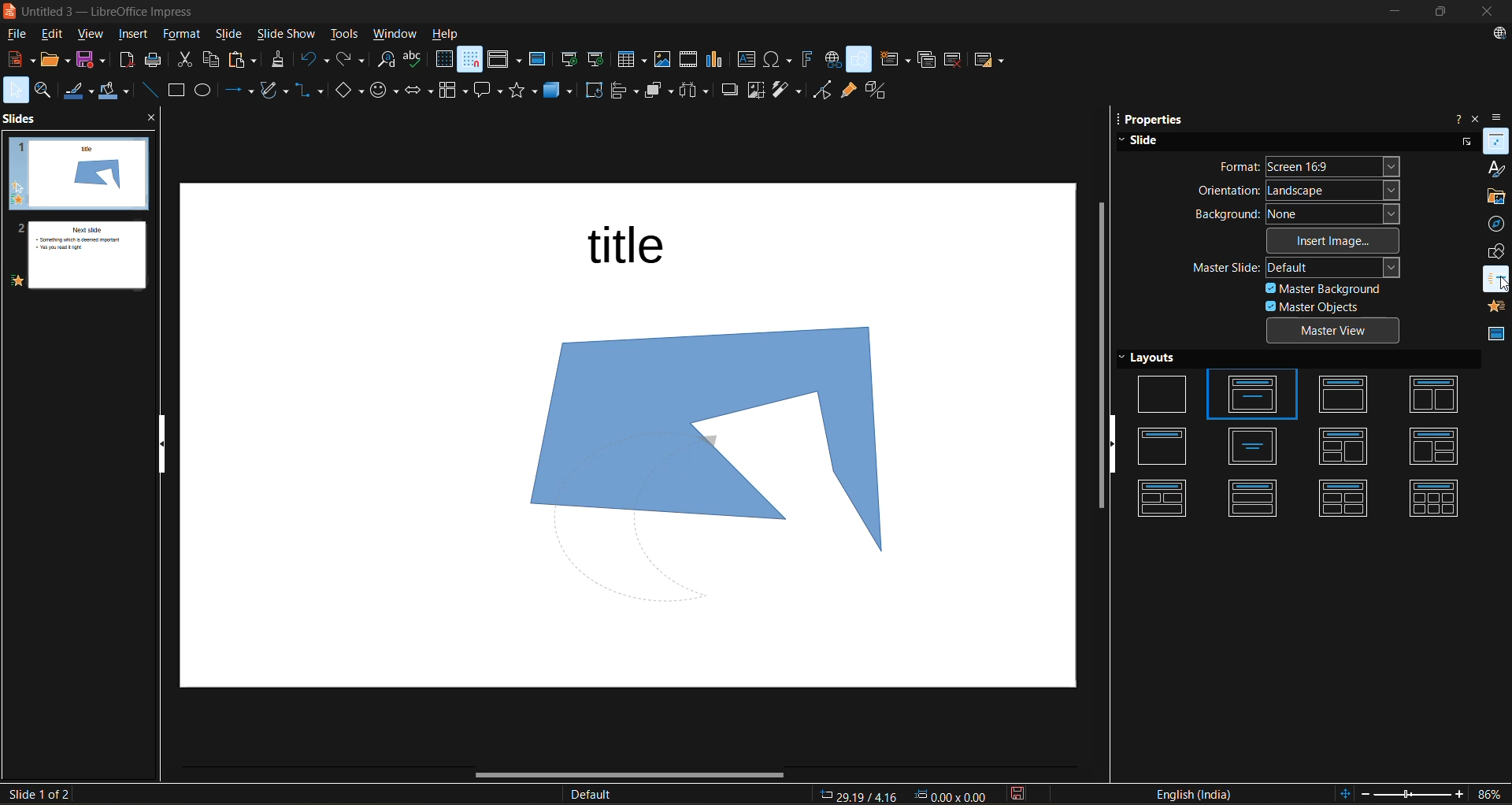  Describe the element at coordinates (315, 61) in the screenshot. I see `undo` at that location.